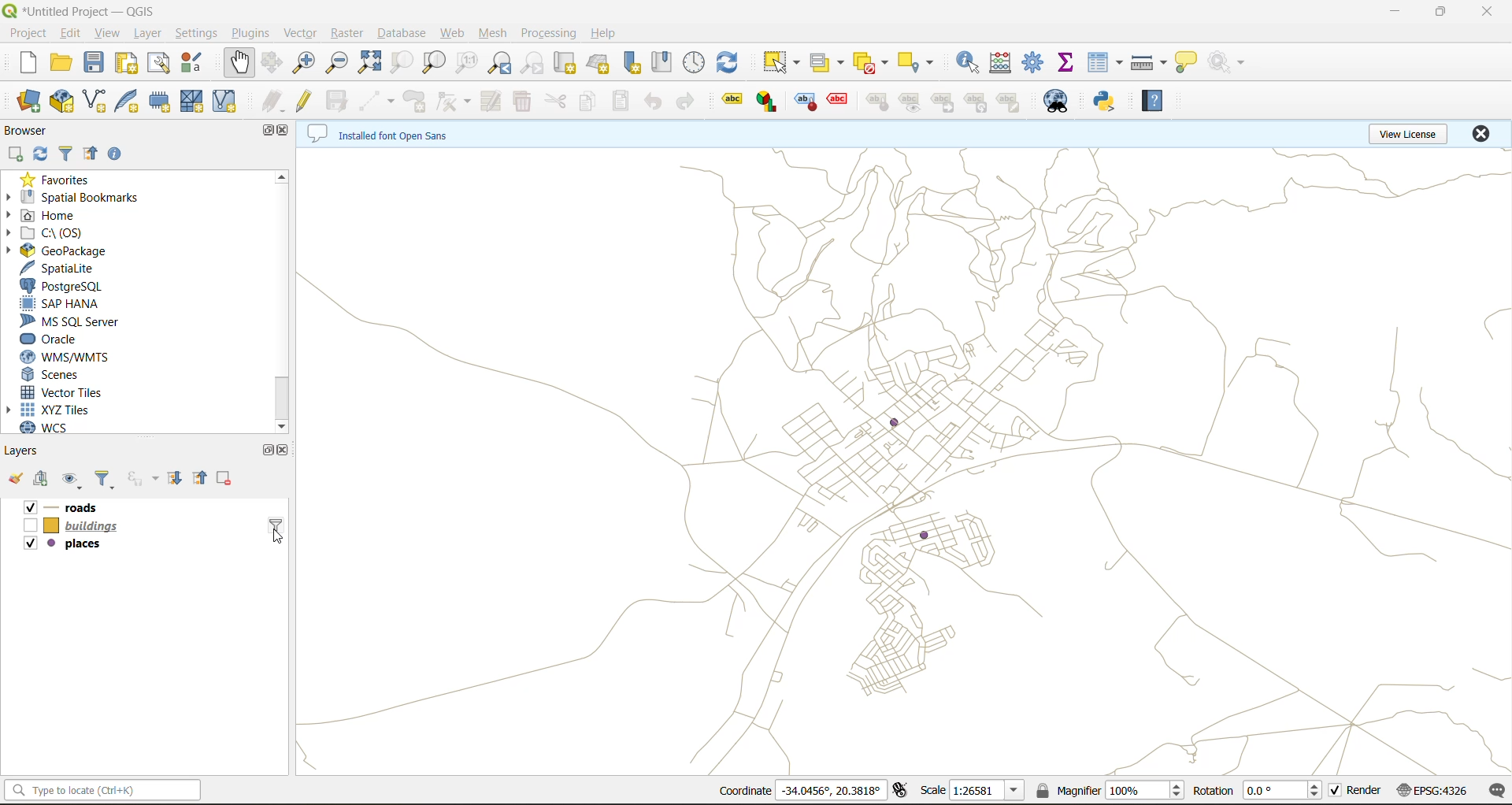 Image resolution: width=1512 pixels, height=805 pixels. What do you see at coordinates (1061, 102) in the screenshot?
I see `metasearch` at bounding box center [1061, 102].